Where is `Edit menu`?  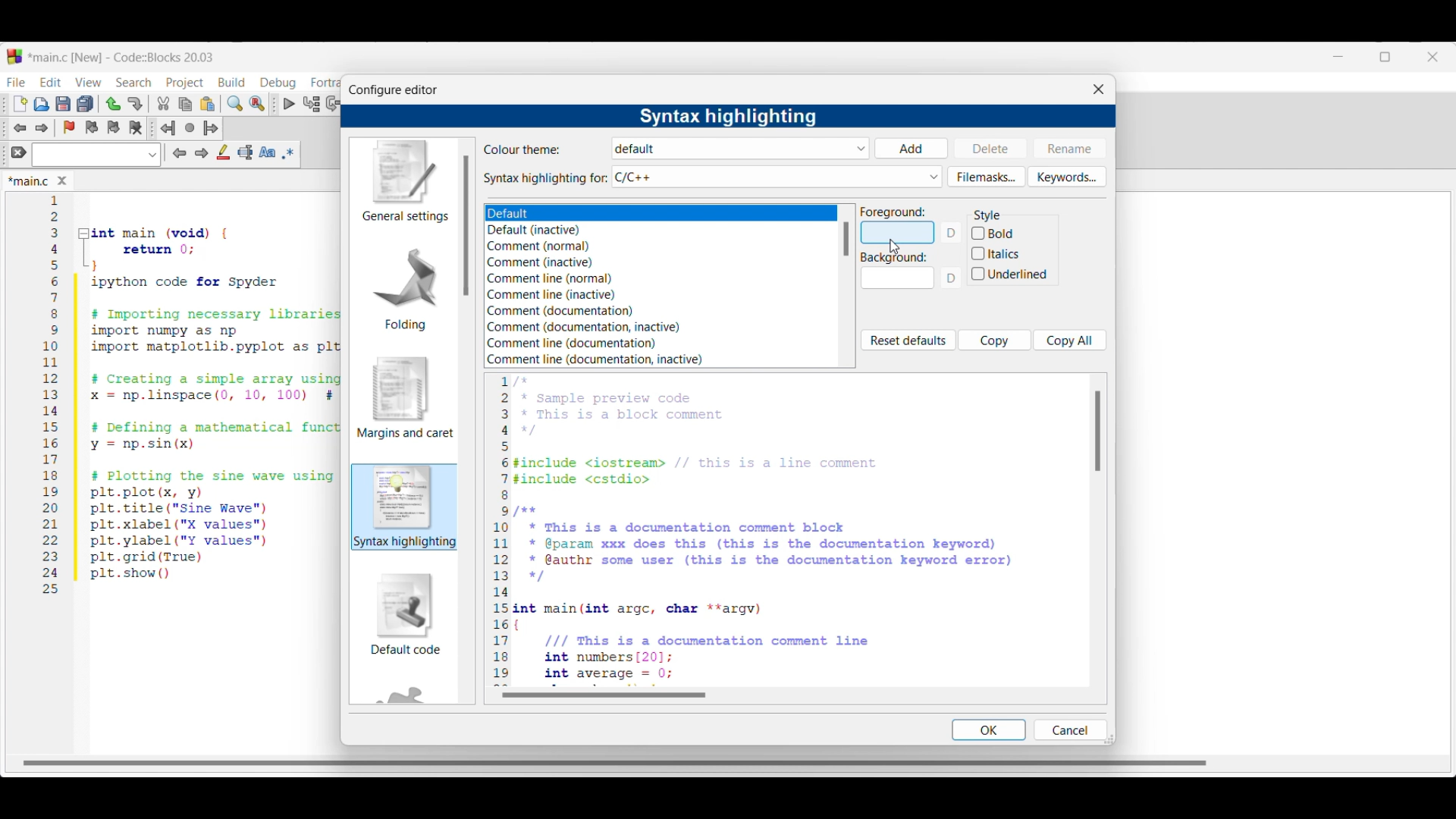 Edit menu is located at coordinates (52, 82).